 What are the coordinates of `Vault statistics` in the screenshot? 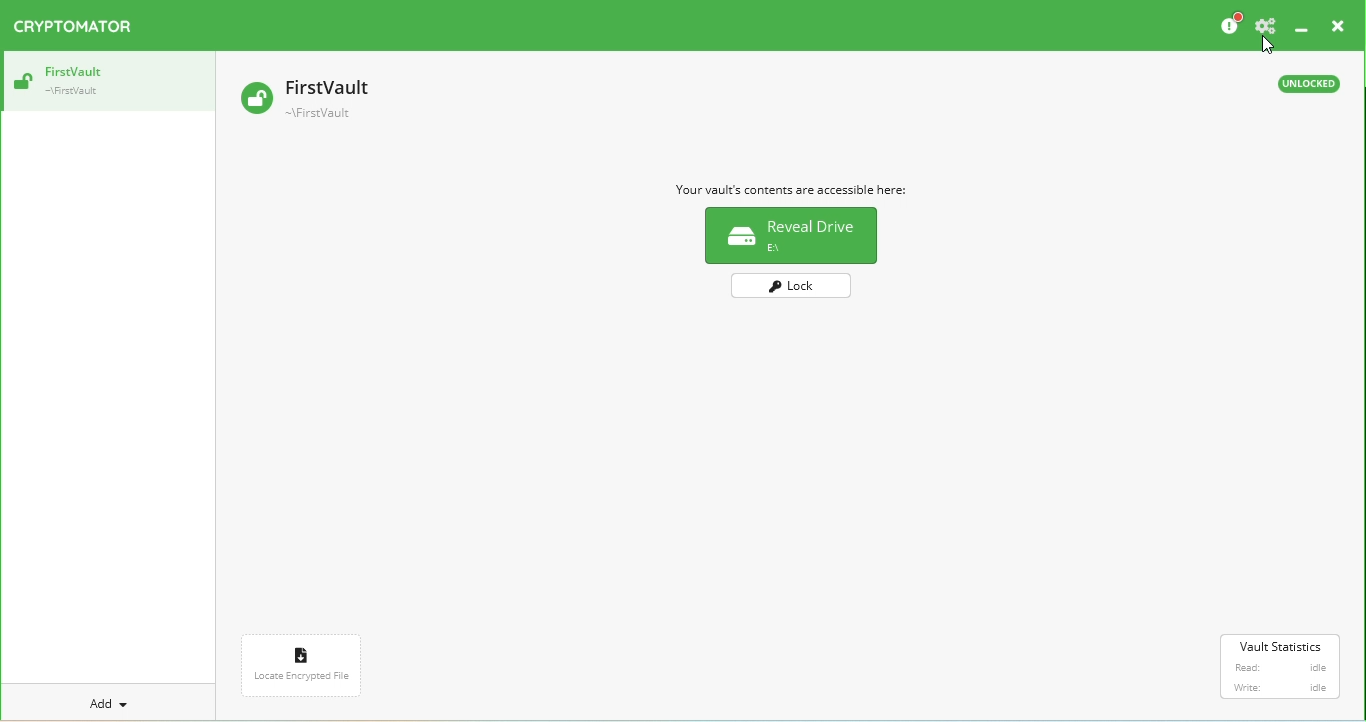 It's located at (1283, 670).